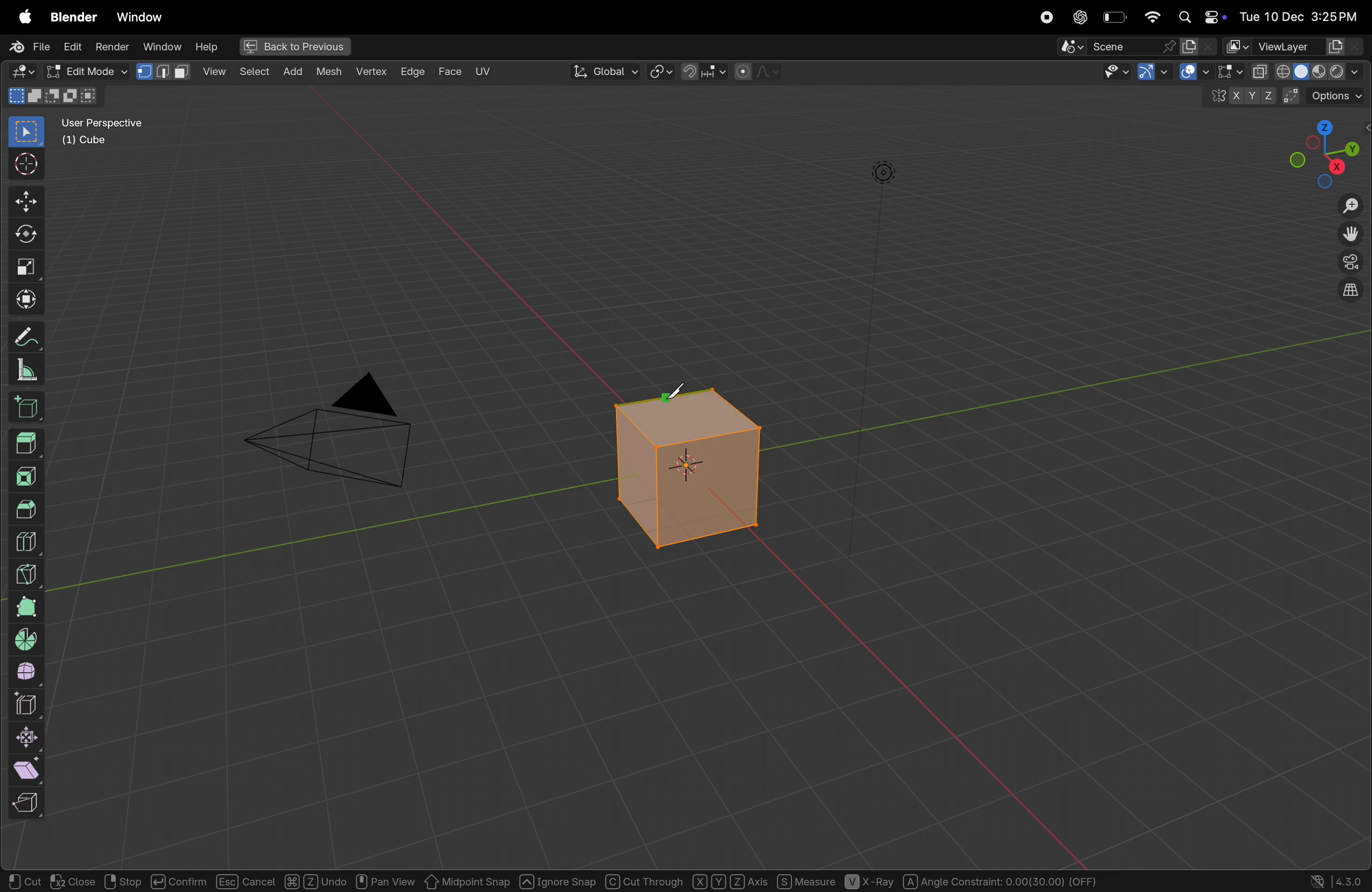  What do you see at coordinates (372, 73) in the screenshot?
I see `vertex` at bounding box center [372, 73].